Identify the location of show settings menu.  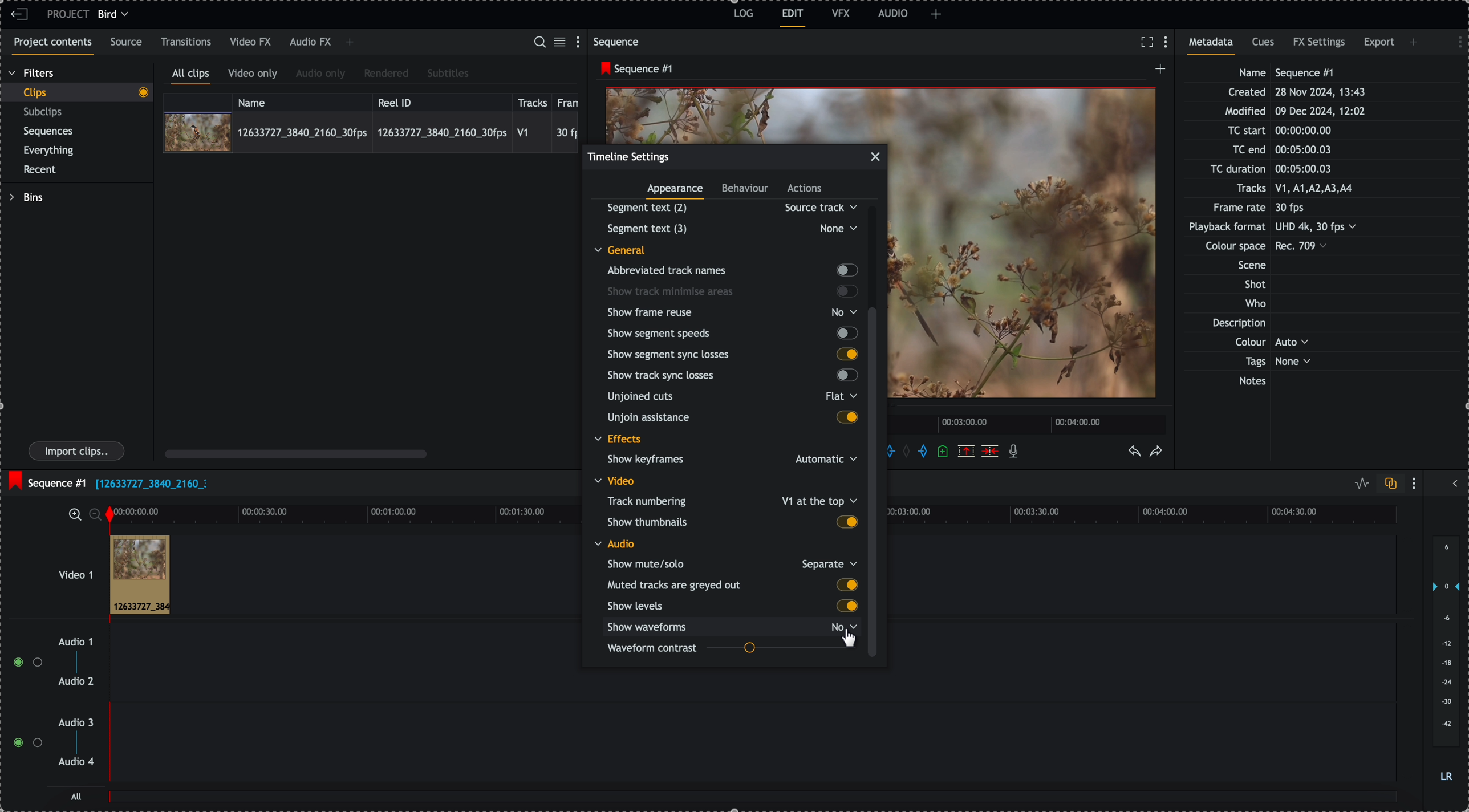
(1417, 483).